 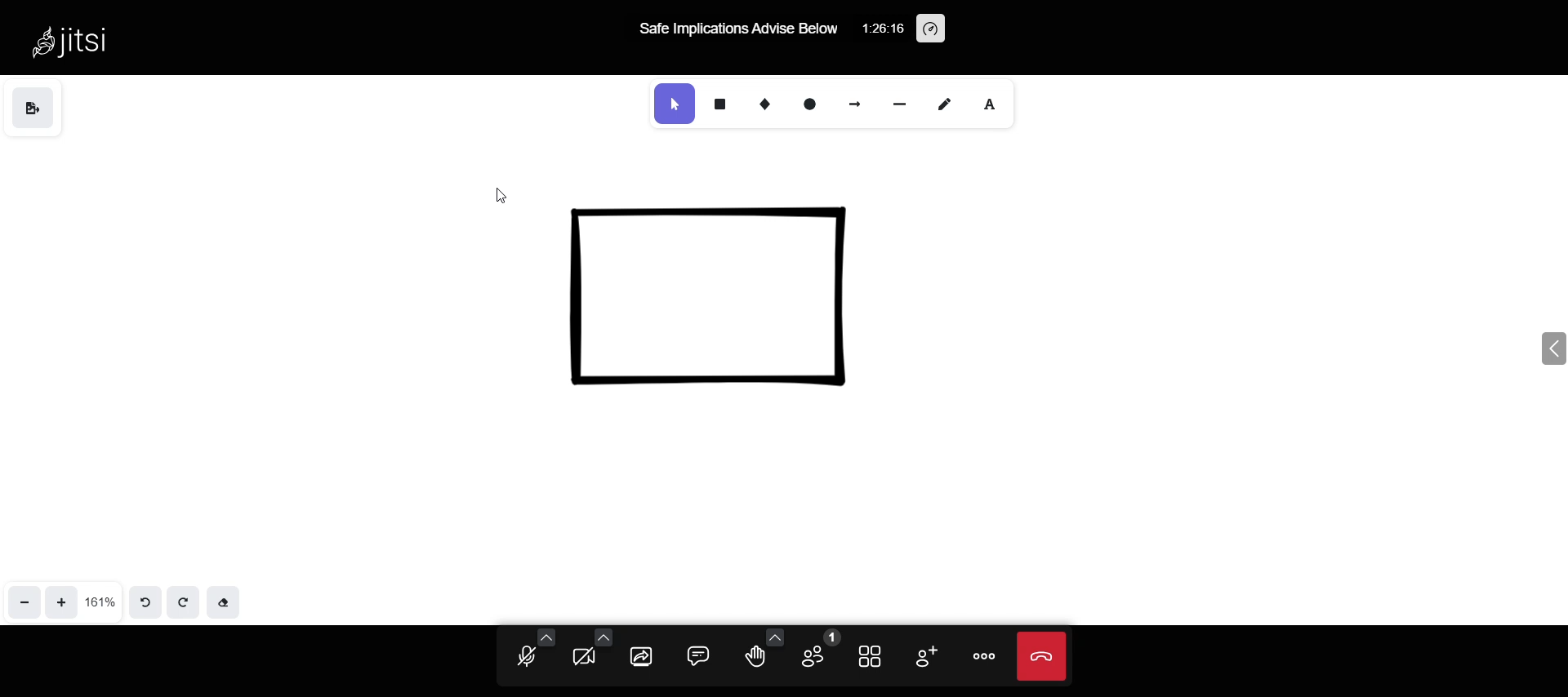 I want to click on selection, so click(x=675, y=103).